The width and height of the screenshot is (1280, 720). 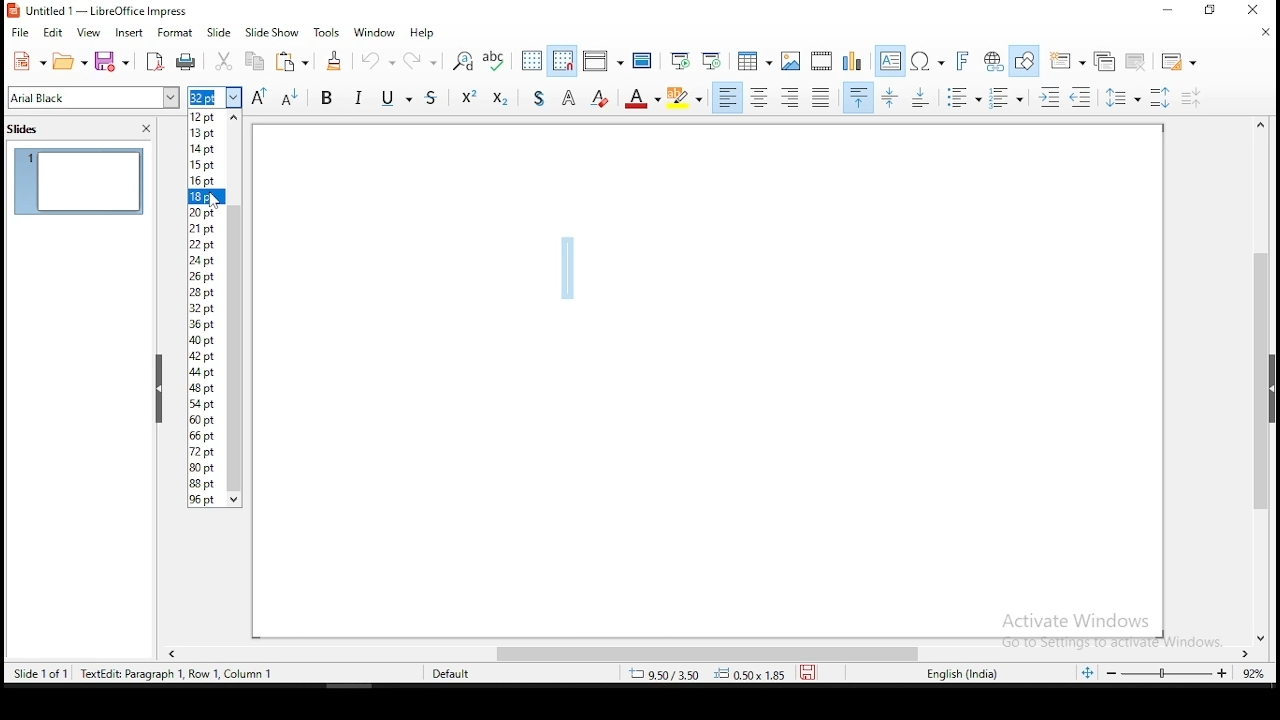 I want to click on Font Color, so click(x=642, y=97).